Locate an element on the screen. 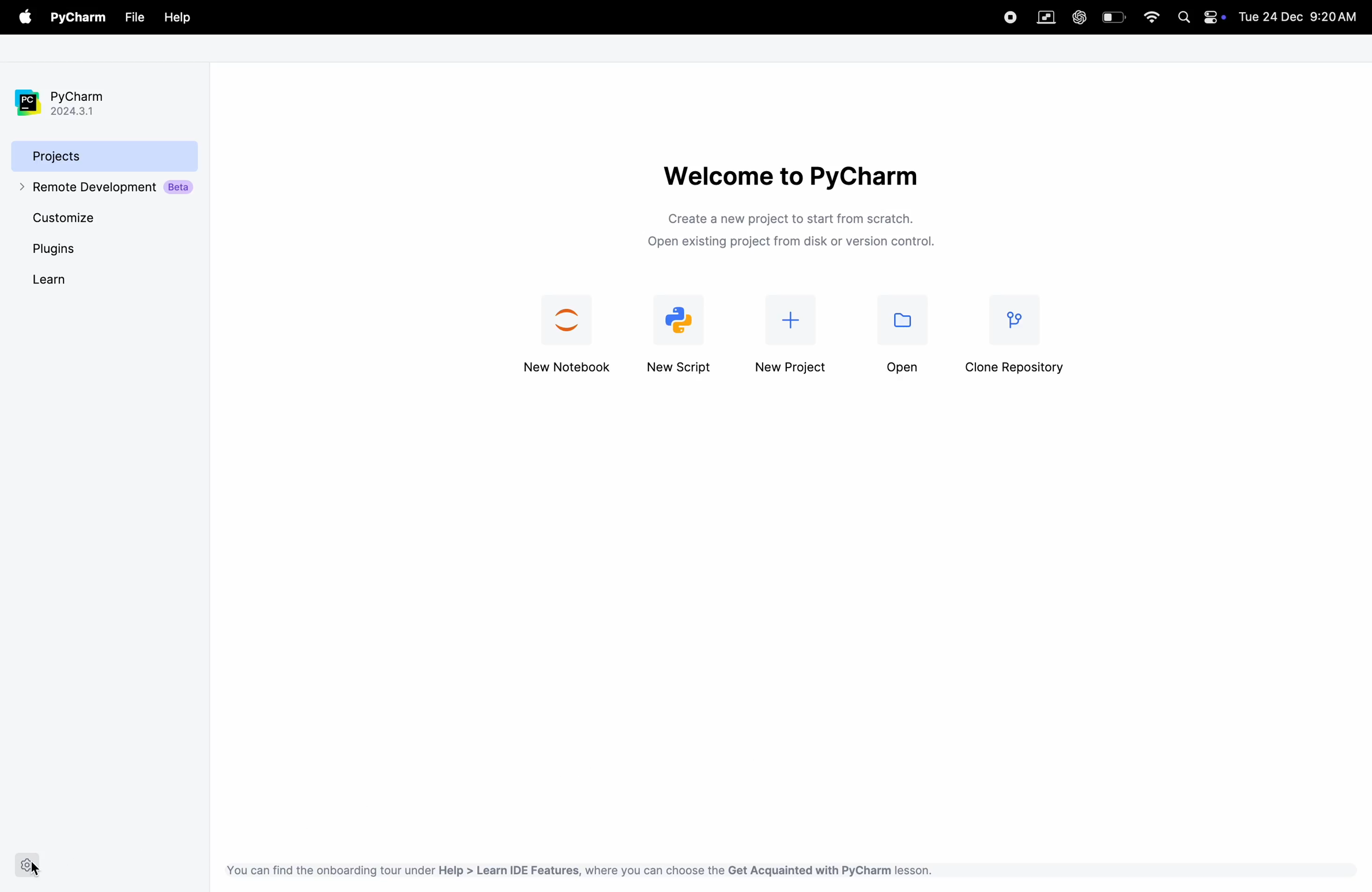  date and time is located at coordinates (1301, 16).